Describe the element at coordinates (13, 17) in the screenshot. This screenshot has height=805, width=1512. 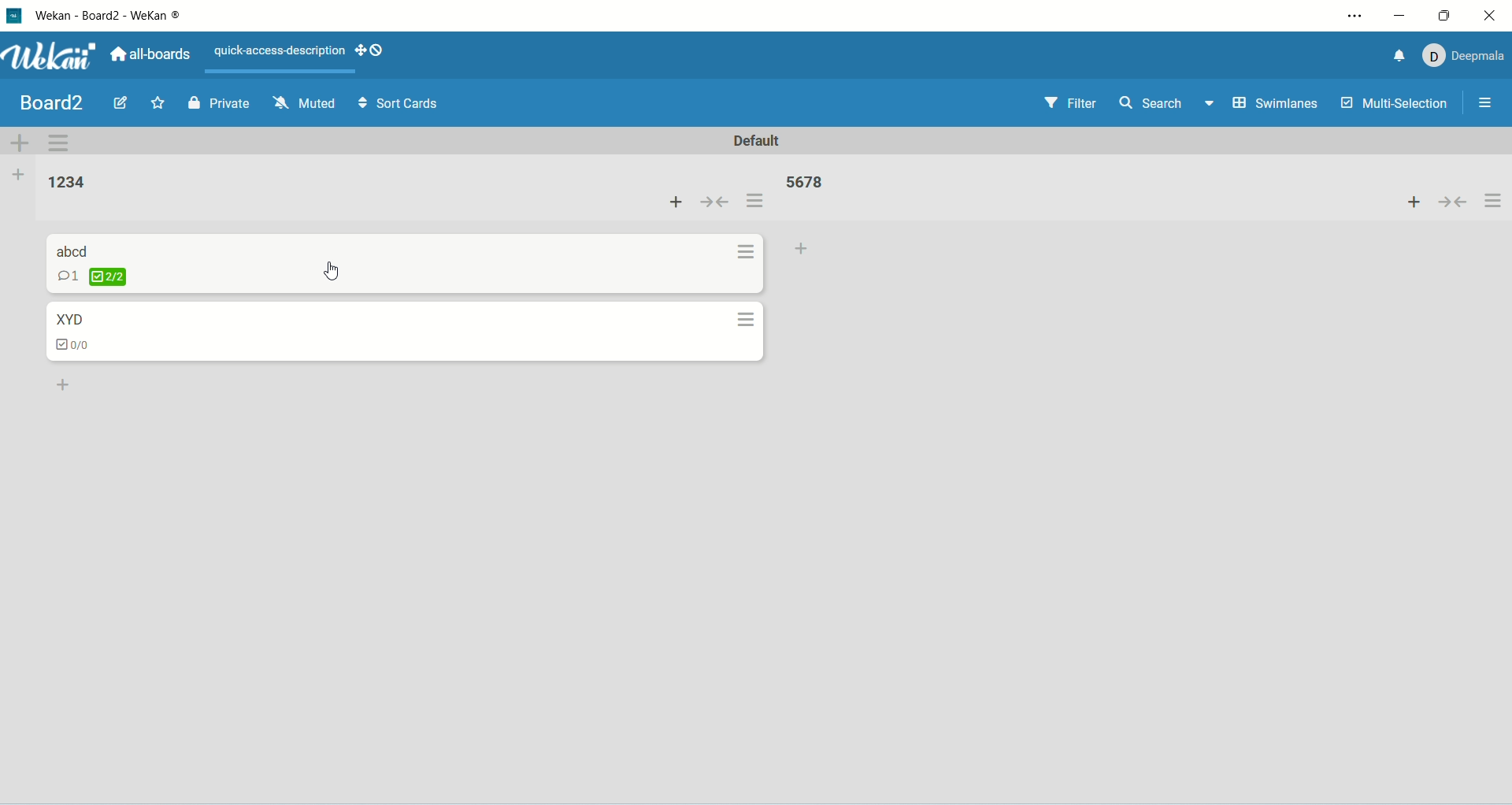
I see `logo` at that location.